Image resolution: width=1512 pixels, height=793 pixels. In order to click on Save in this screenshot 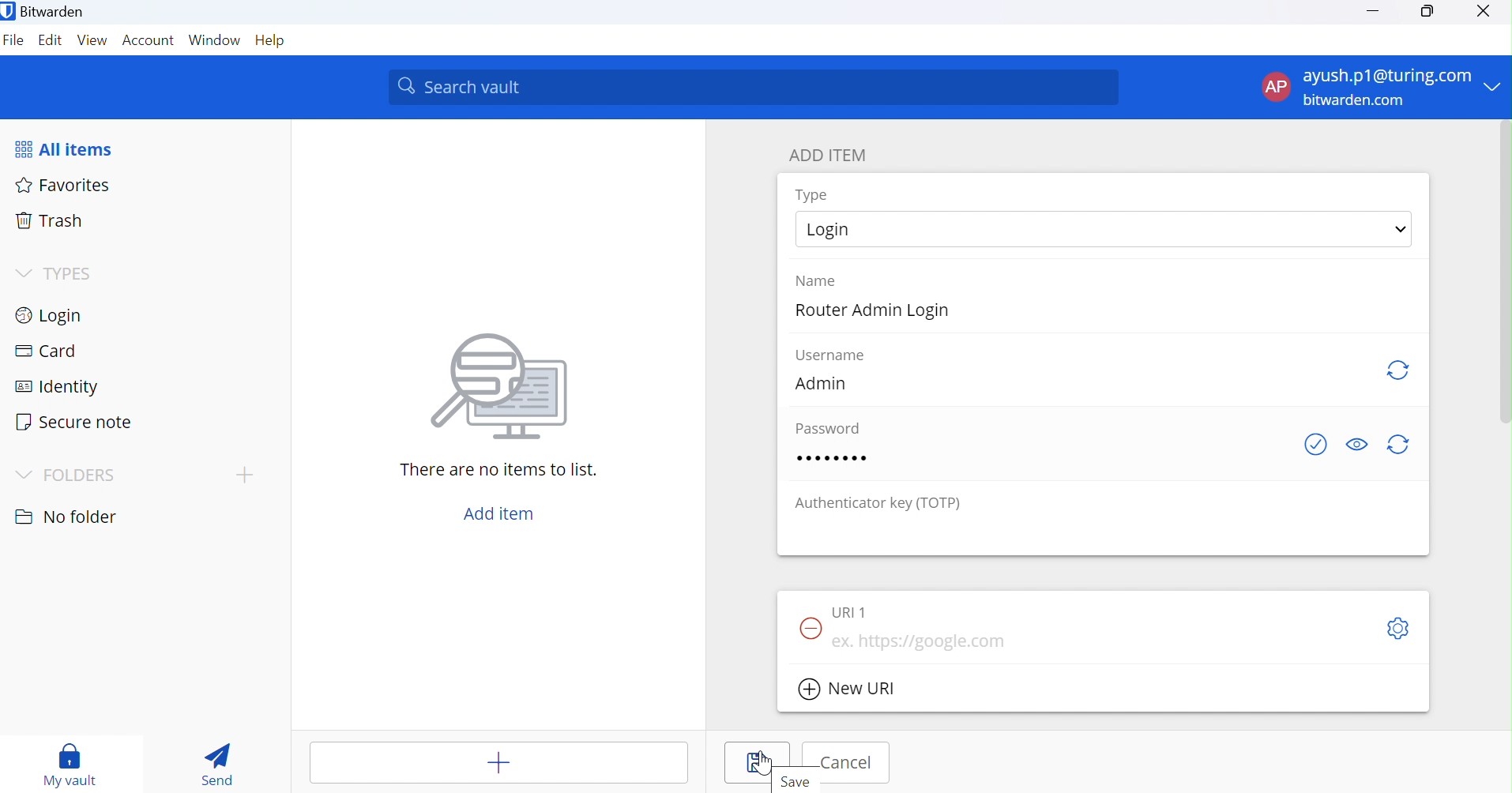, I will do `click(803, 784)`.